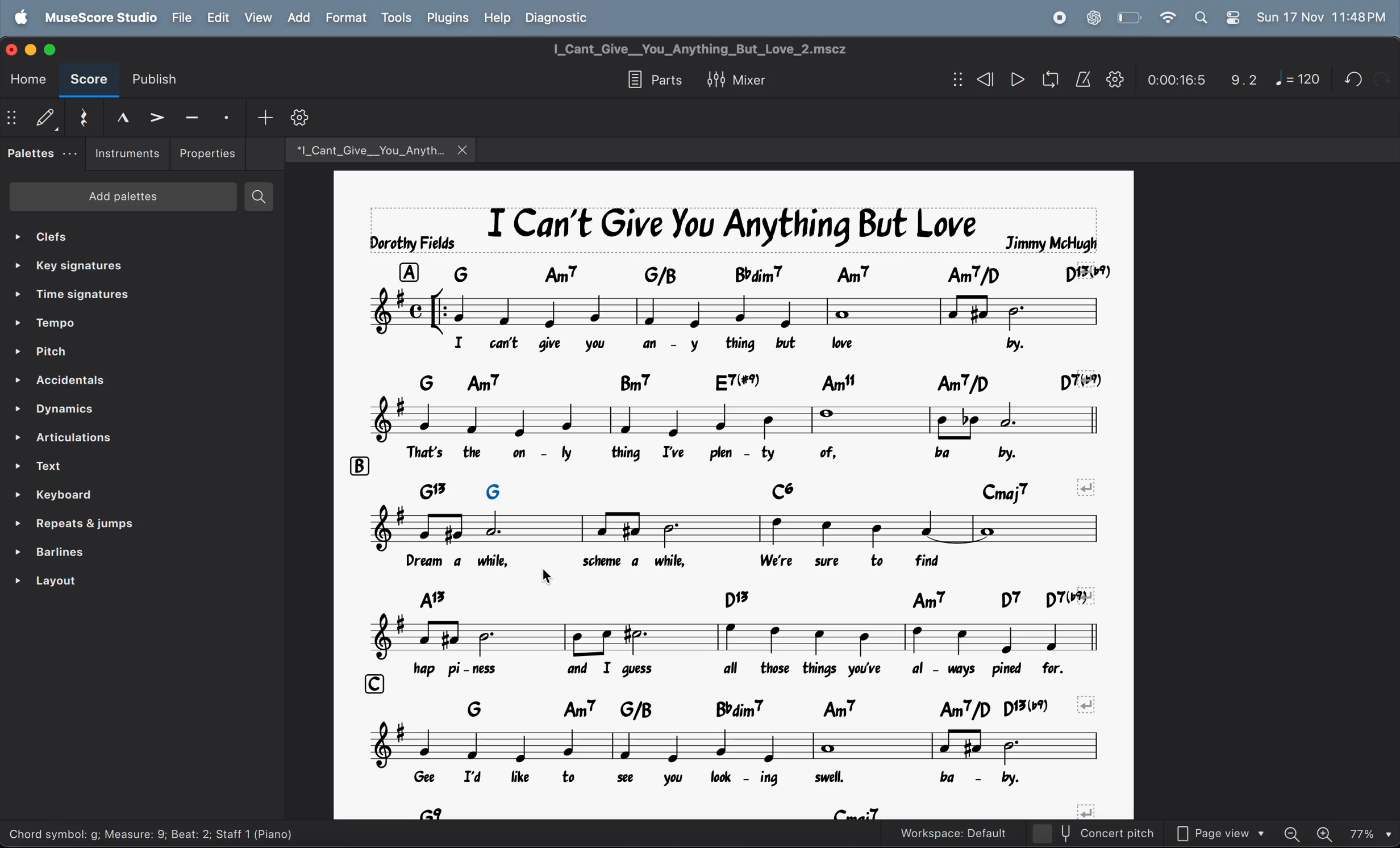 This screenshot has height=848, width=1400. What do you see at coordinates (220, 18) in the screenshot?
I see `edit` at bounding box center [220, 18].